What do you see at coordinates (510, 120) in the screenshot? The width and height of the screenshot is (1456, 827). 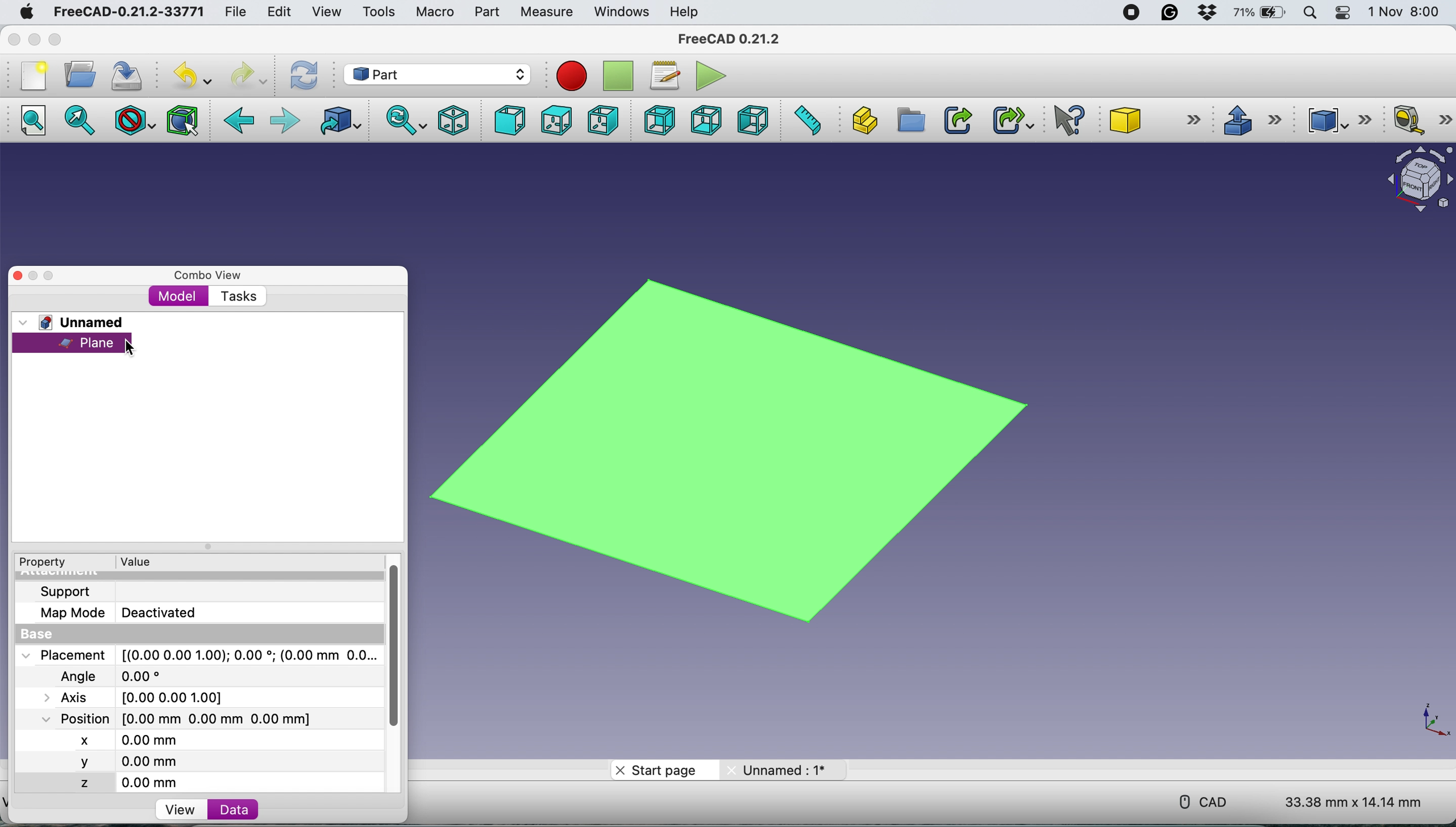 I see `front` at bounding box center [510, 120].